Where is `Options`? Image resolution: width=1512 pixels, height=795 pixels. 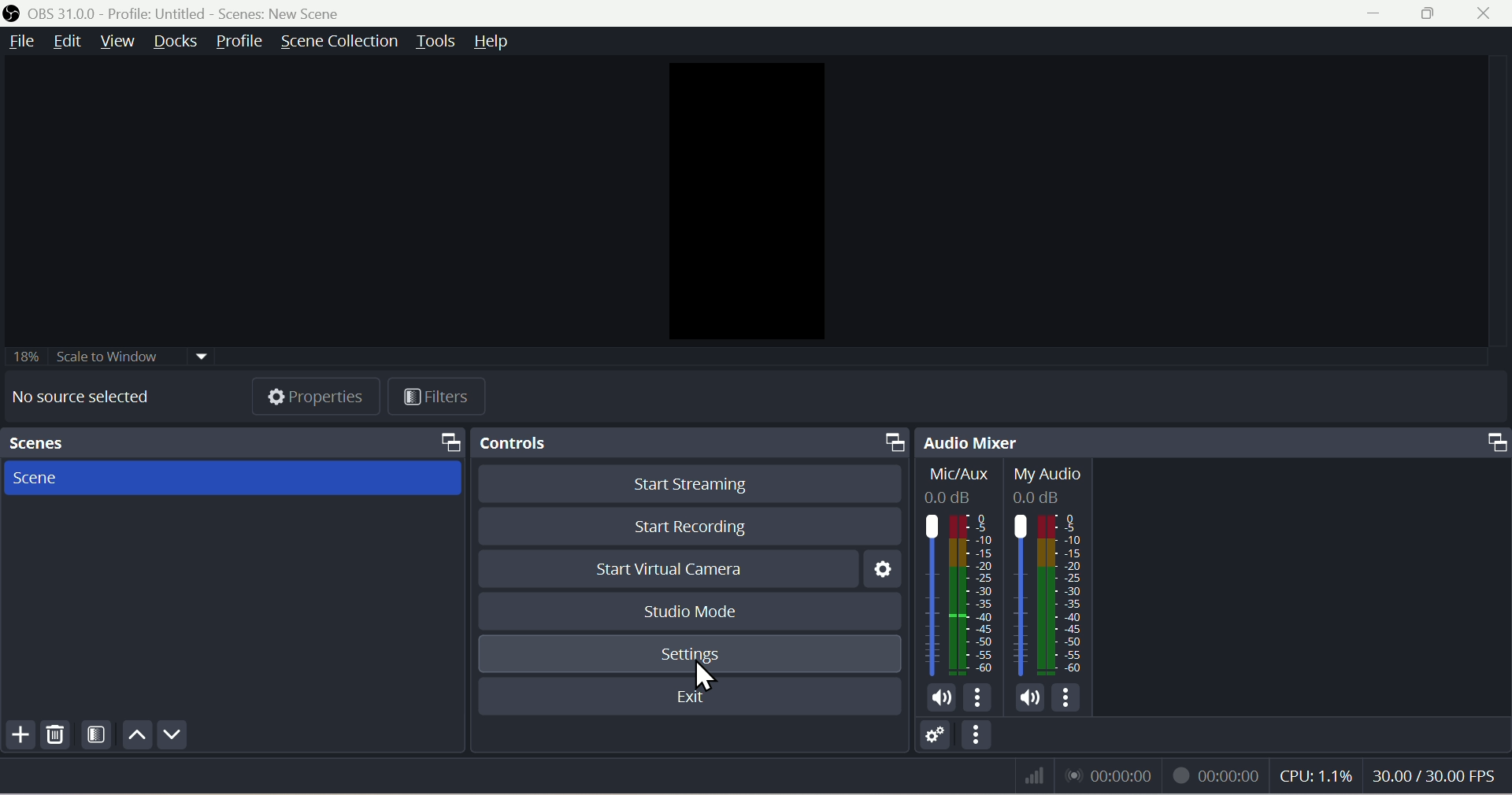
Options is located at coordinates (980, 697).